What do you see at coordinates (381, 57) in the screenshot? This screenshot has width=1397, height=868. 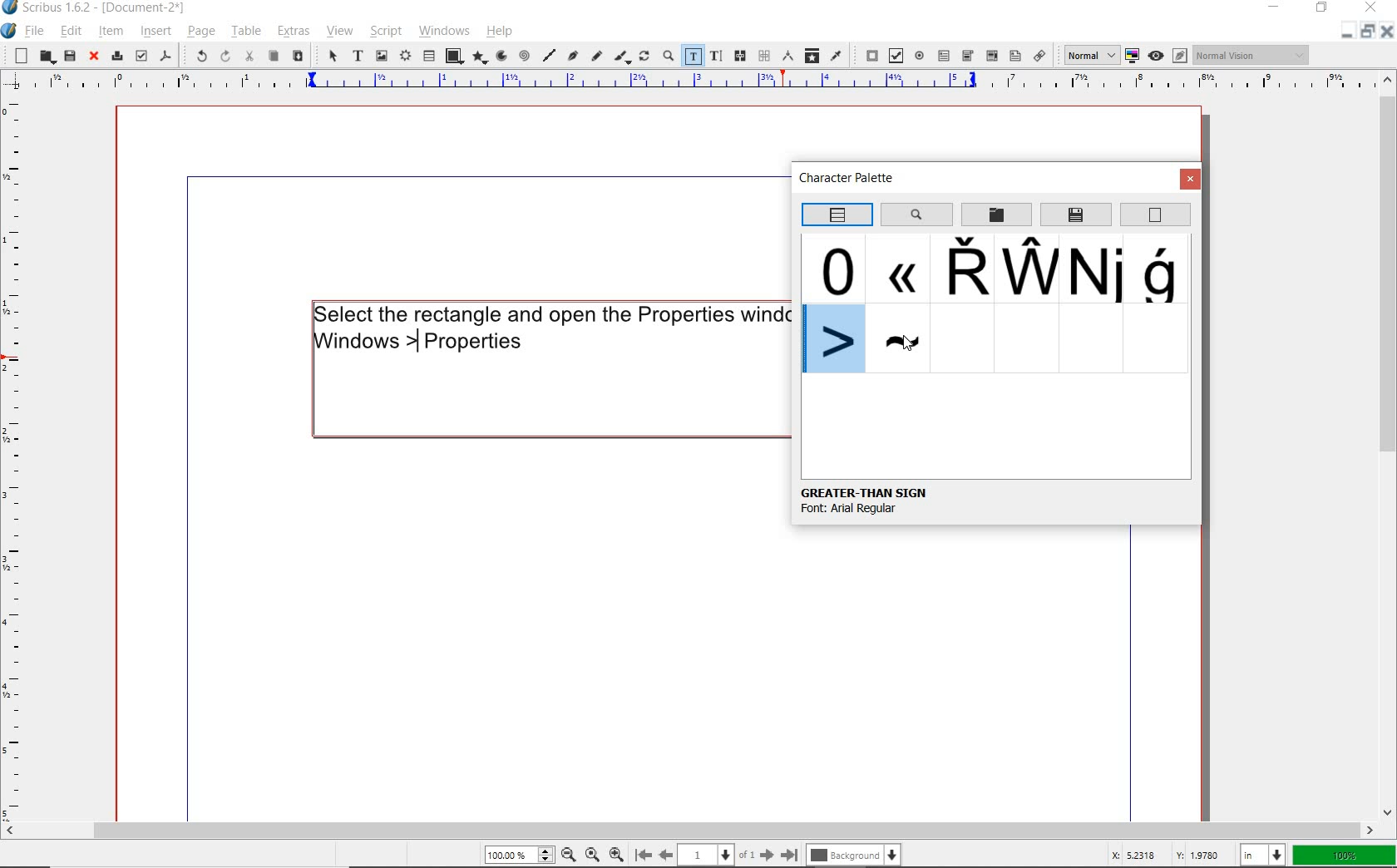 I see `image frame` at bounding box center [381, 57].